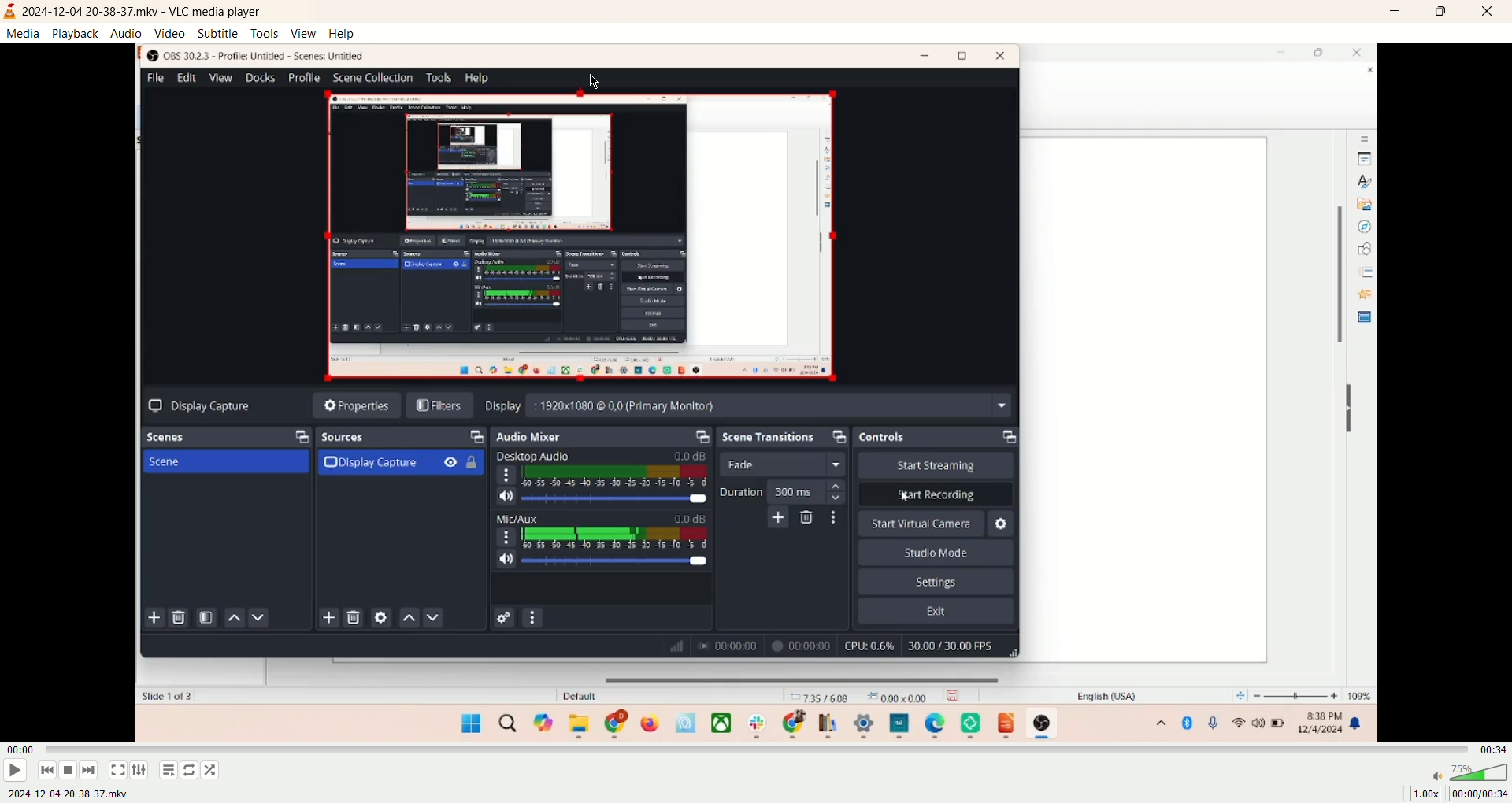 This screenshot has height=803, width=1512. What do you see at coordinates (755, 390) in the screenshot?
I see `main screen` at bounding box center [755, 390].